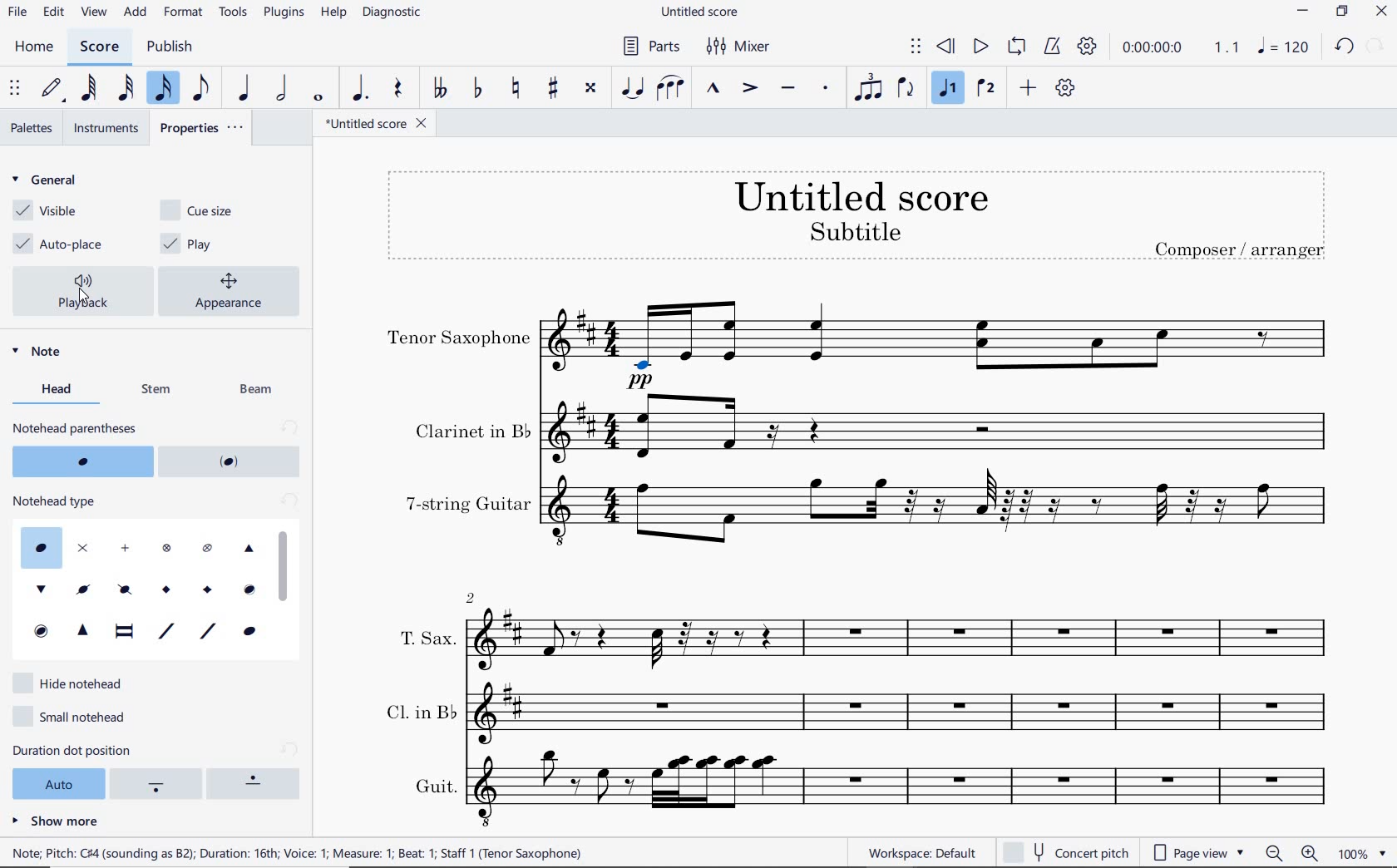  I want to click on TOGGLE NATURAL, so click(516, 88).